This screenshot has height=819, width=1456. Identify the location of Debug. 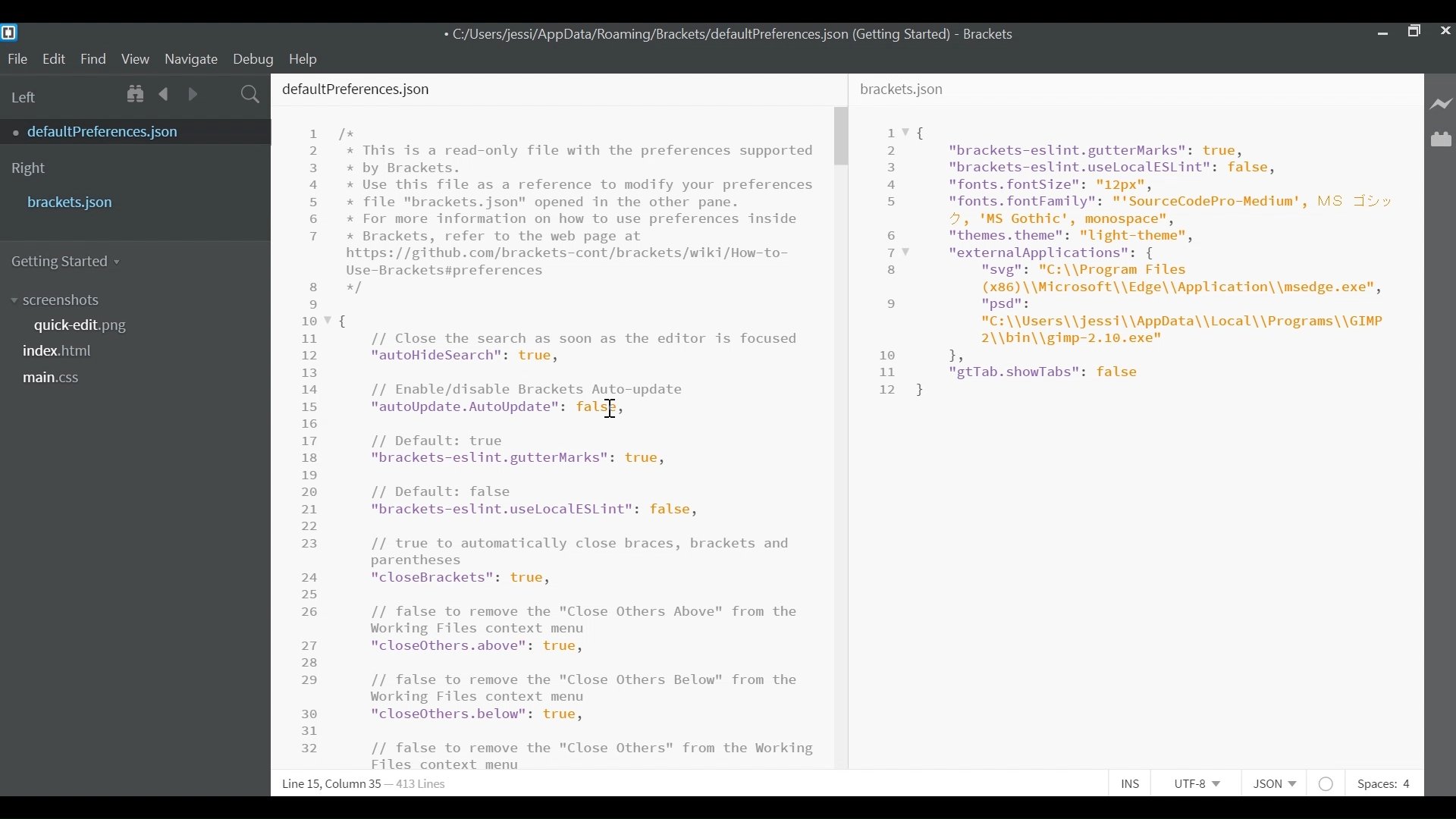
(256, 58).